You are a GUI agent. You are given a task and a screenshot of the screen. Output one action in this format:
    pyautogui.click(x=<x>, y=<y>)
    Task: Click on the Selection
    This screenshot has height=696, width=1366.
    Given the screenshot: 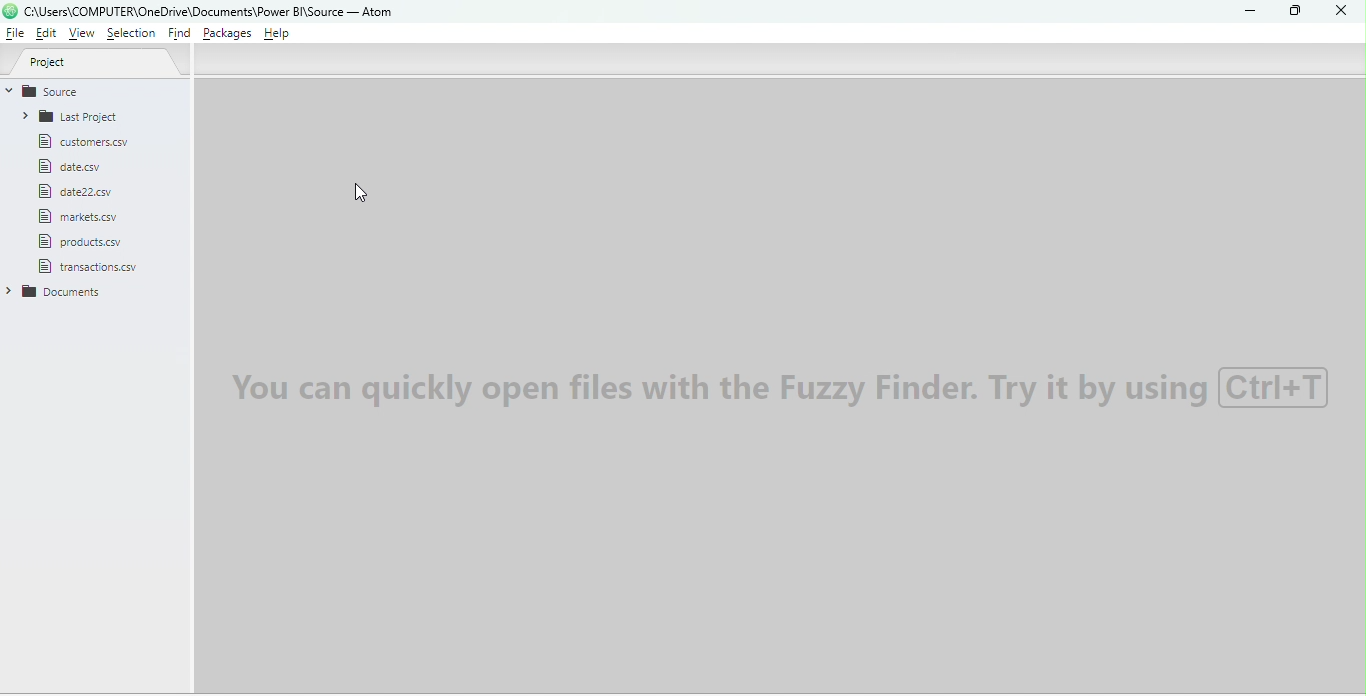 What is the action you would take?
    pyautogui.click(x=134, y=36)
    